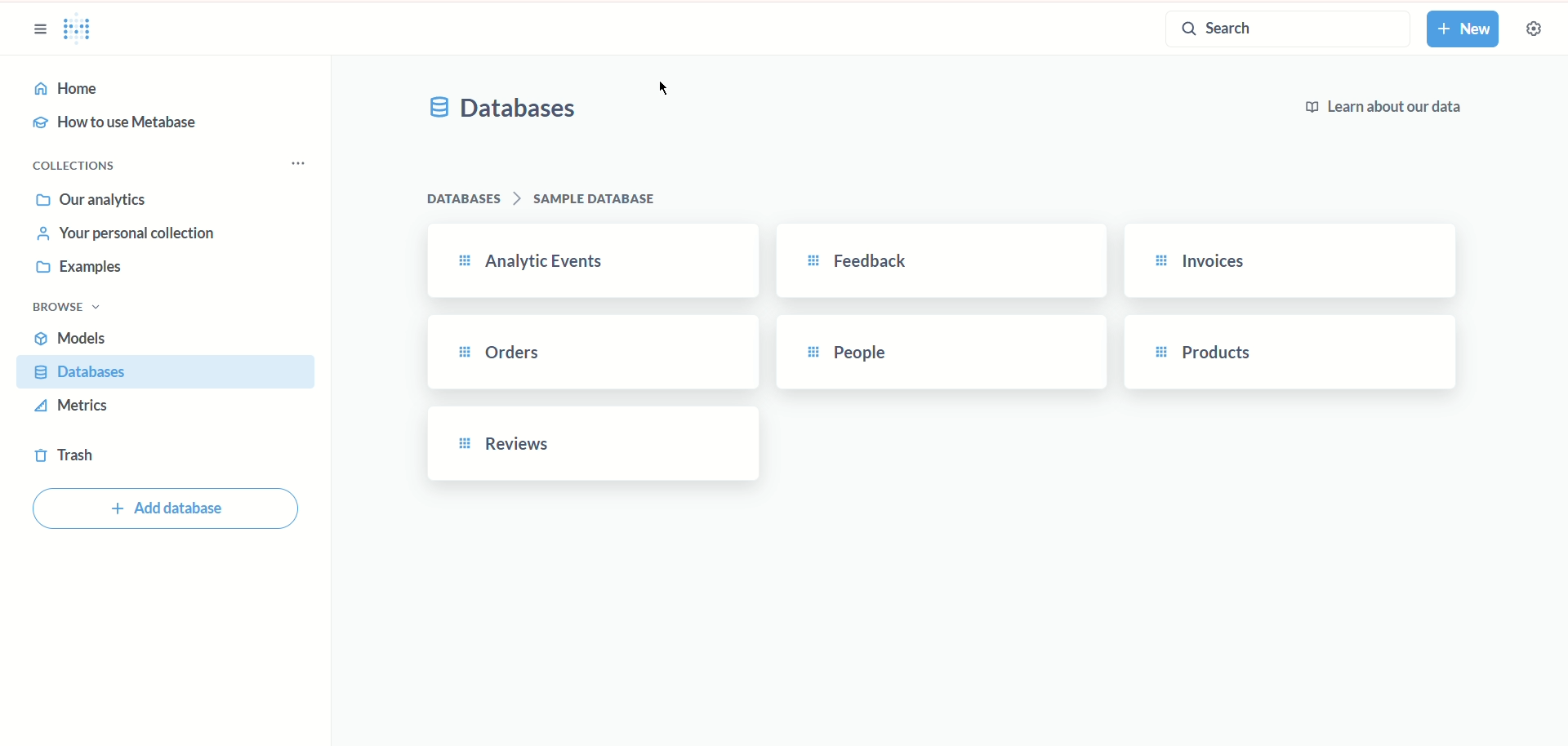 The image size is (1568, 746). What do you see at coordinates (92, 202) in the screenshot?
I see `our analytics` at bounding box center [92, 202].